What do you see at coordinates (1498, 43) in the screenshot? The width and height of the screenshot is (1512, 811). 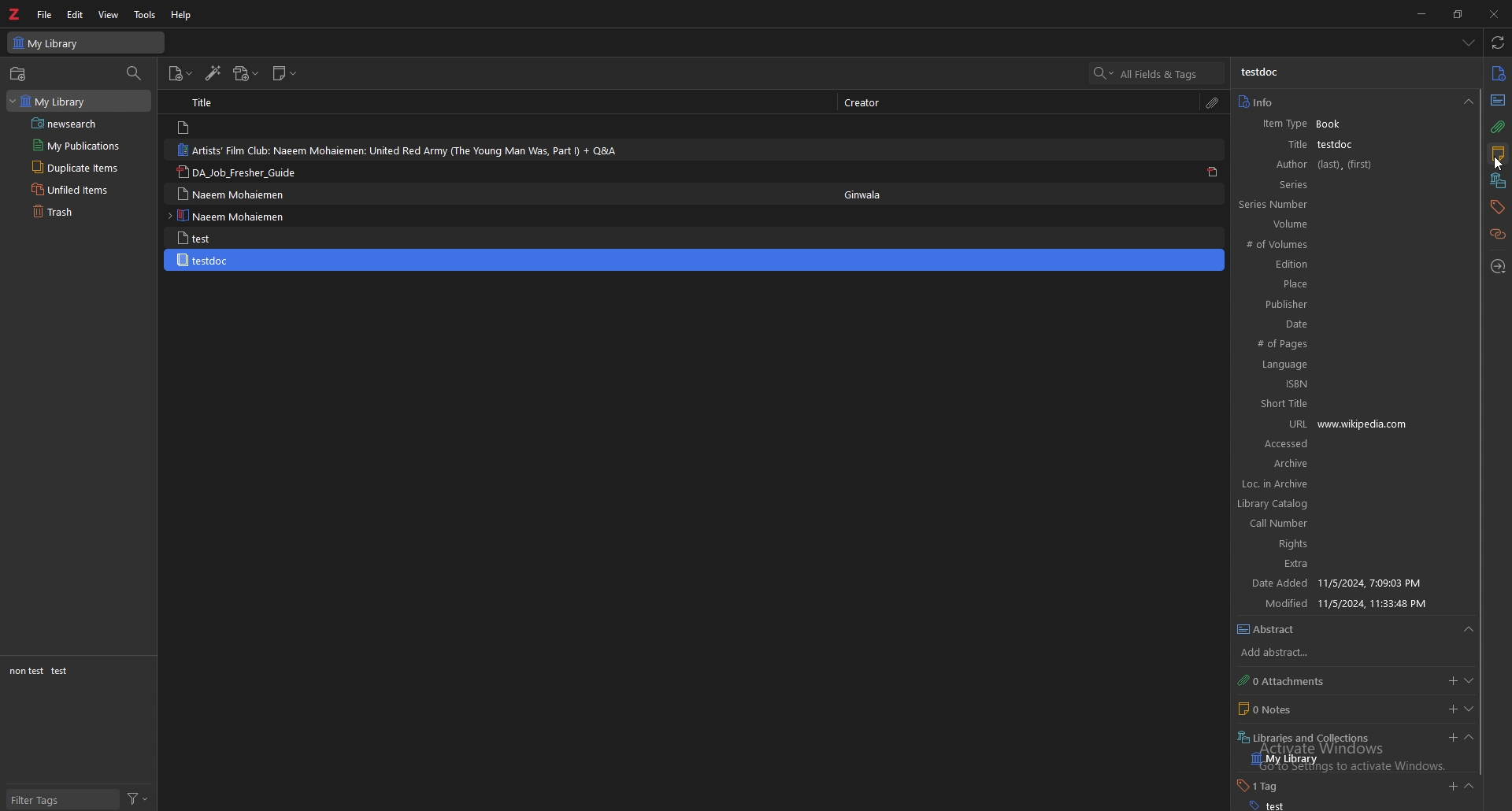 I see `sync with zotero.org` at bounding box center [1498, 43].